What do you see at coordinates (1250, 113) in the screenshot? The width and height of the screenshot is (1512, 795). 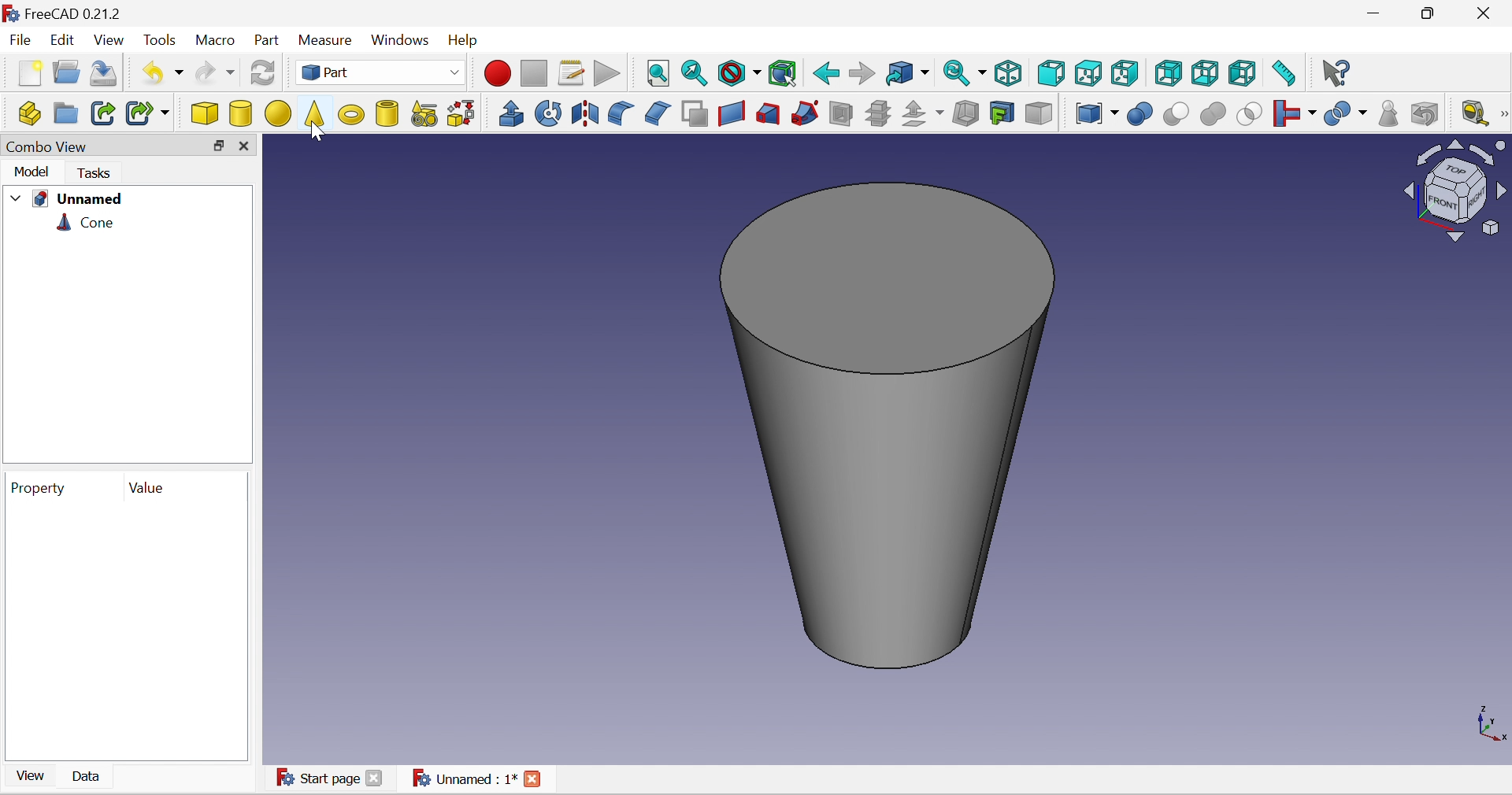 I see `Intersection` at bounding box center [1250, 113].